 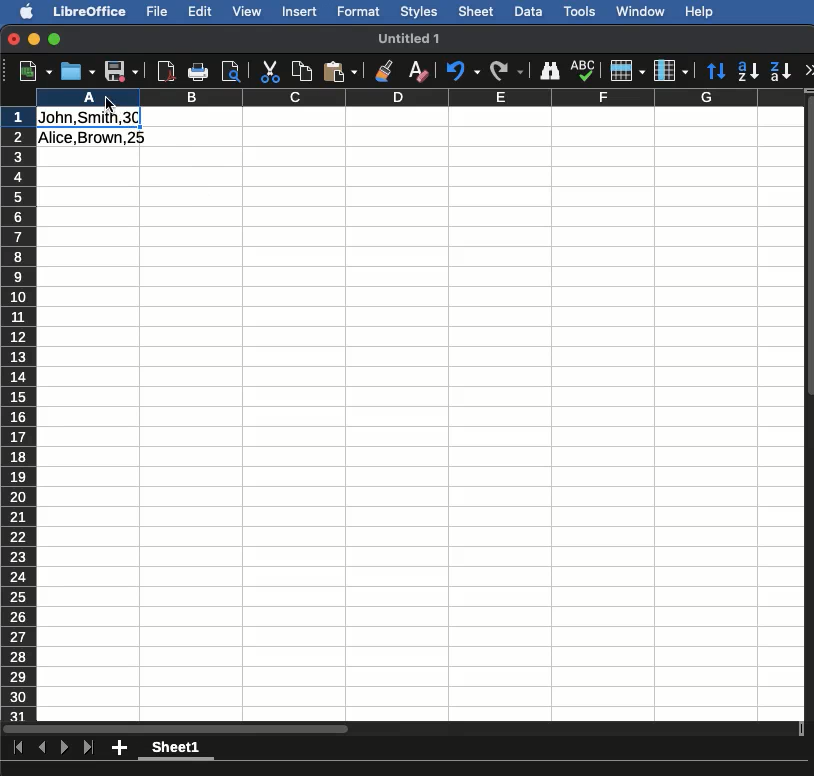 What do you see at coordinates (701, 11) in the screenshot?
I see `Help` at bounding box center [701, 11].